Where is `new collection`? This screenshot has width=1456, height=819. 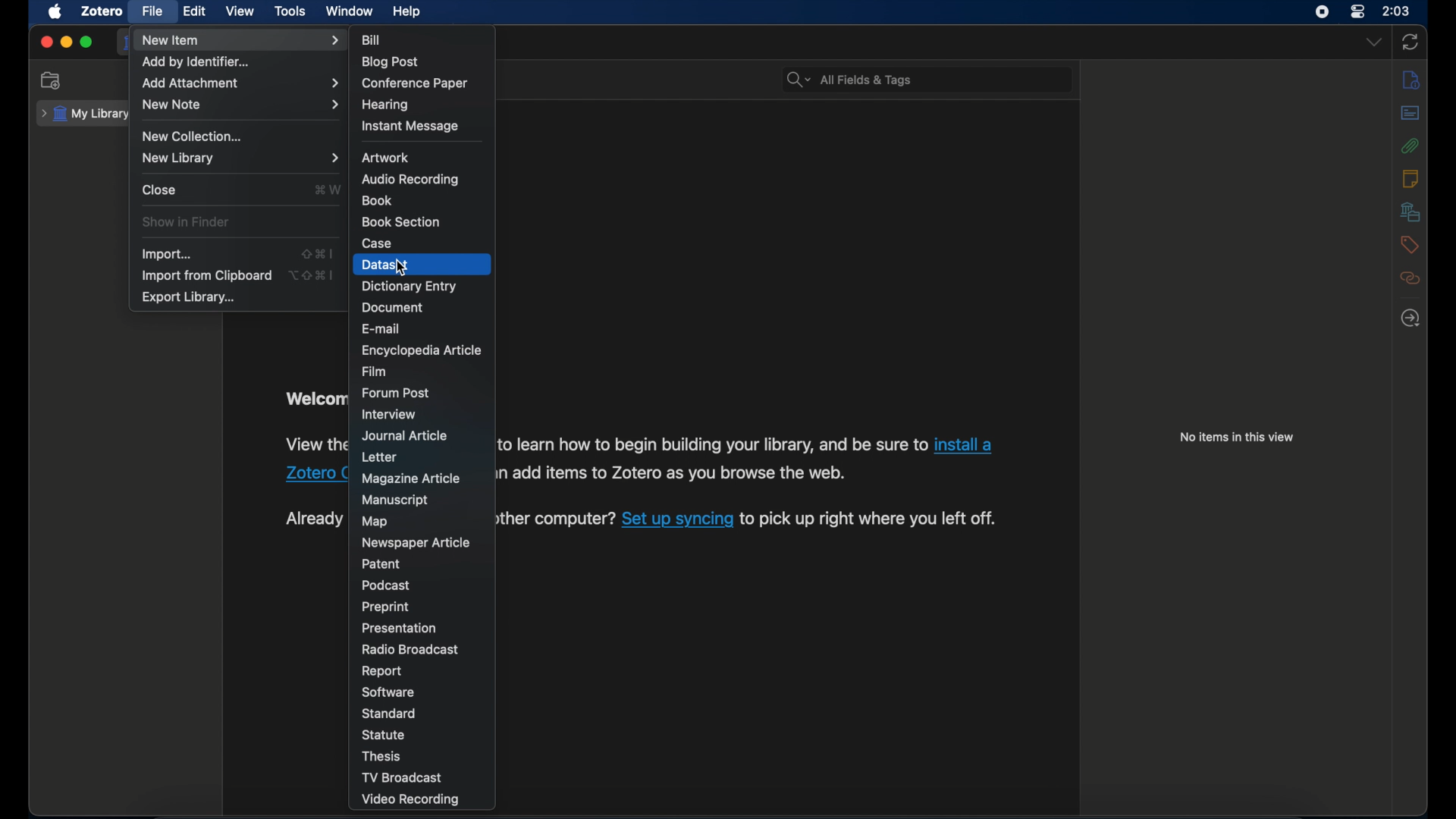 new collection is located at coordinates (193, 136).